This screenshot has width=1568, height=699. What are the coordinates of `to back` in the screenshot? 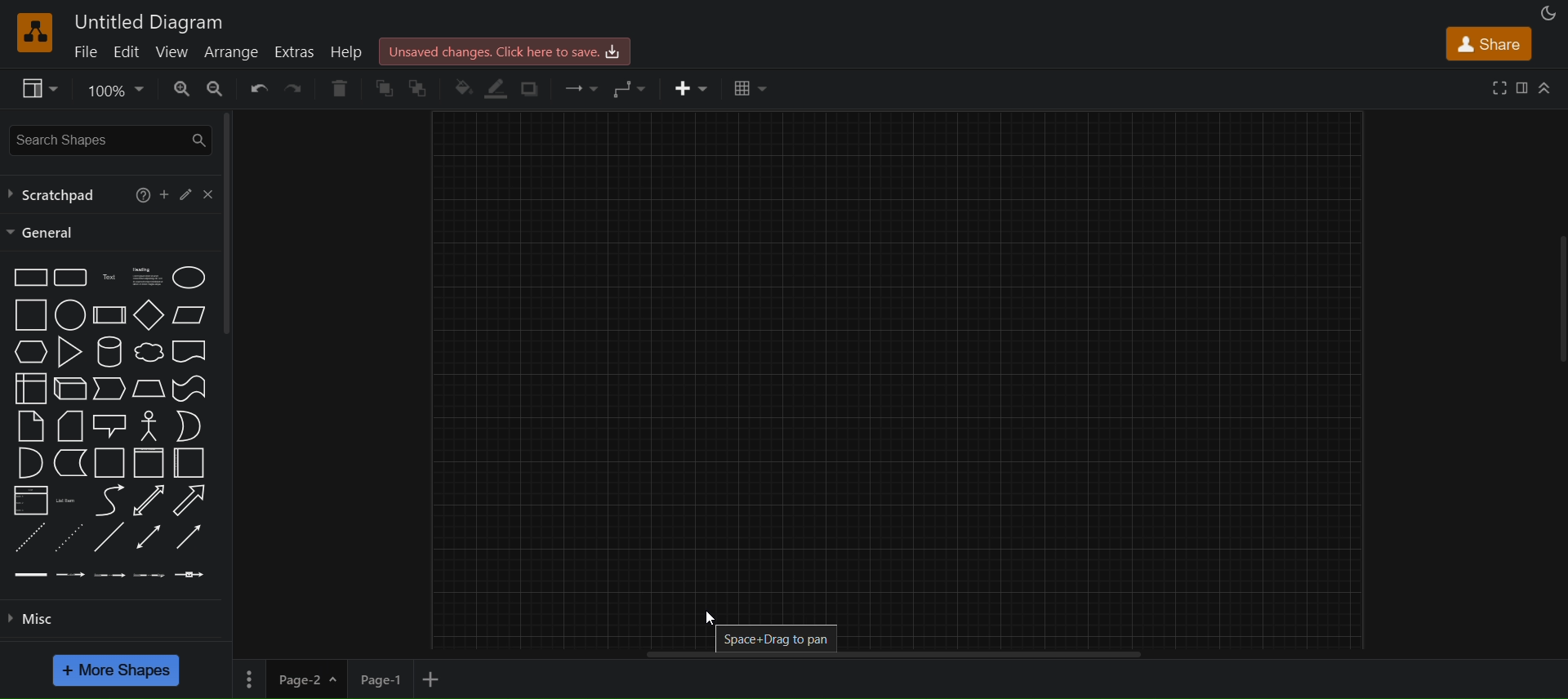 It's located at (422, 89).